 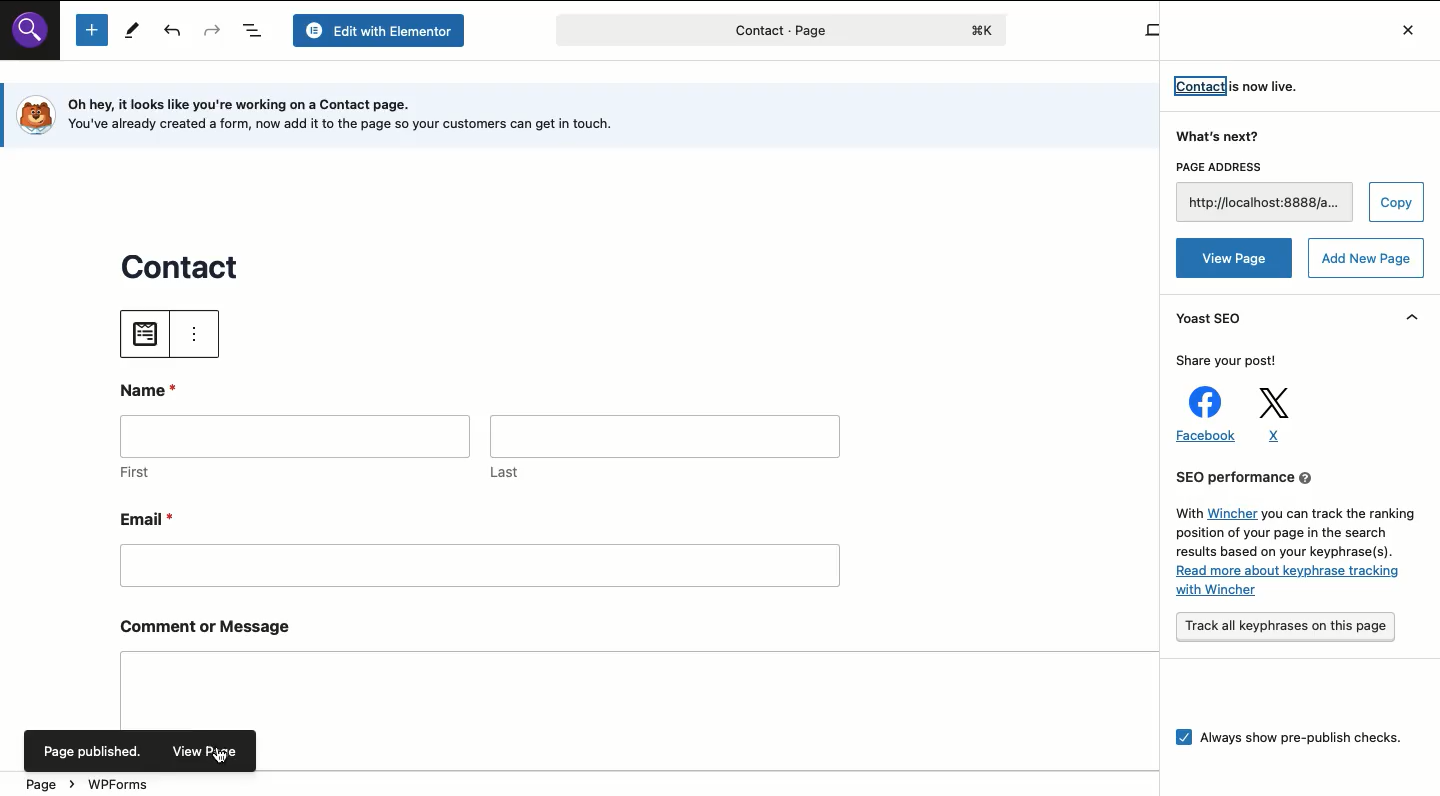 I want to click on logo, so click(x=990, y=28).